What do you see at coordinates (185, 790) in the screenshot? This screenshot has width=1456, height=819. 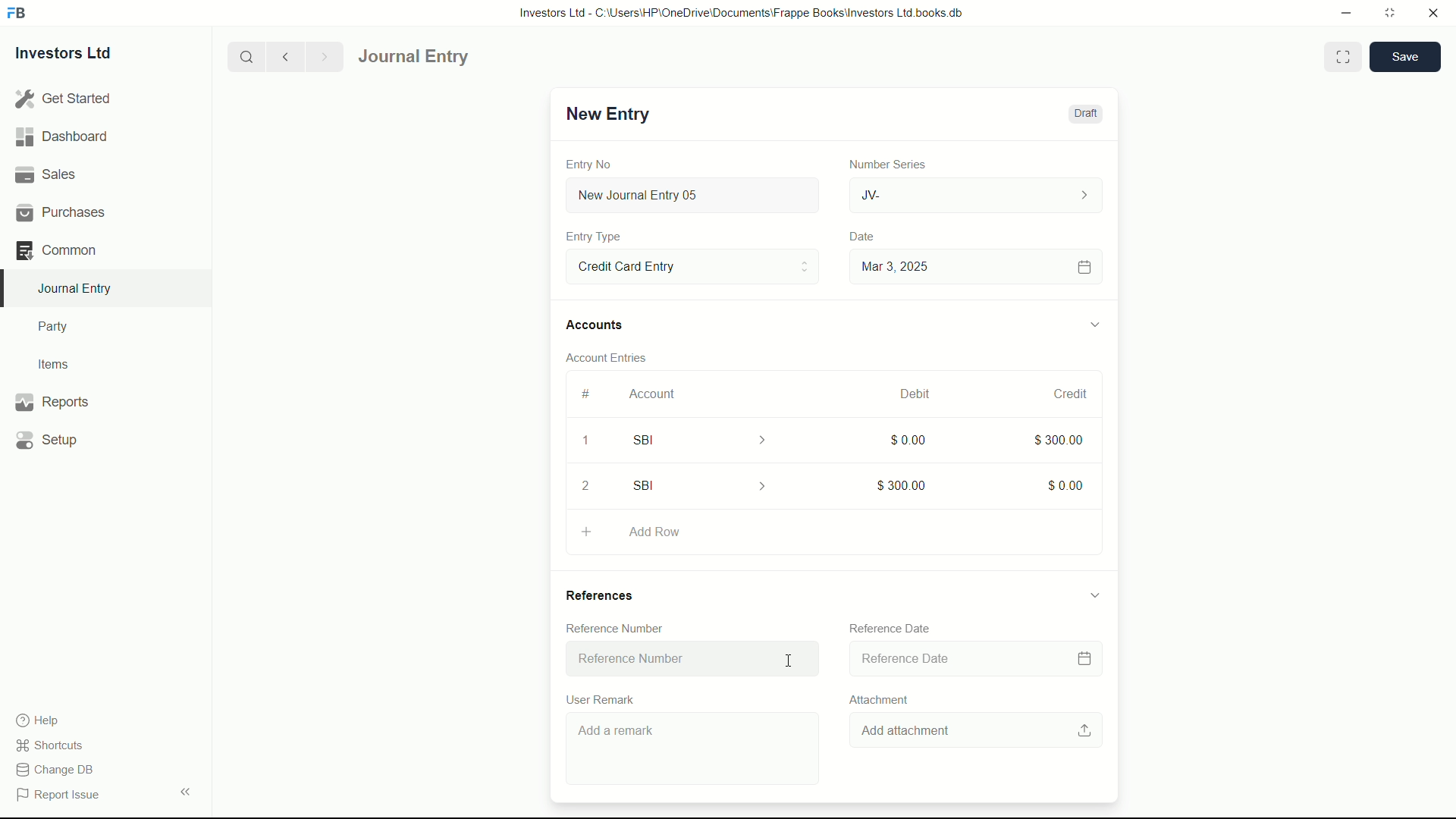 I see `expand/collapse` at bounding box center [185, 790].